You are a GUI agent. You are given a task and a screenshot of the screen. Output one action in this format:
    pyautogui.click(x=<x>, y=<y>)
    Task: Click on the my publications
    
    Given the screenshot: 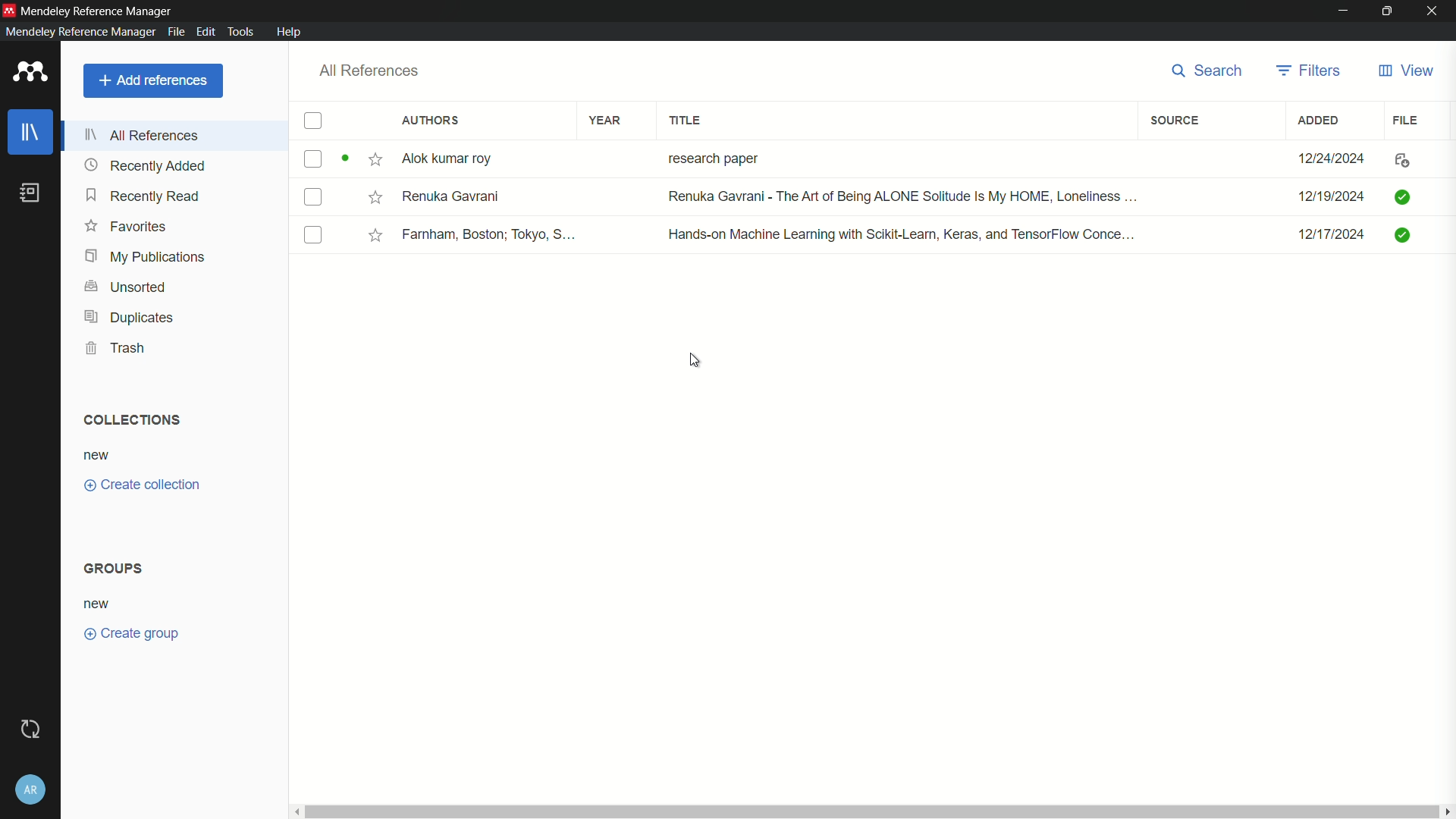 What is the action you would take?
    pyautogui.click(x=145, y=257)
    